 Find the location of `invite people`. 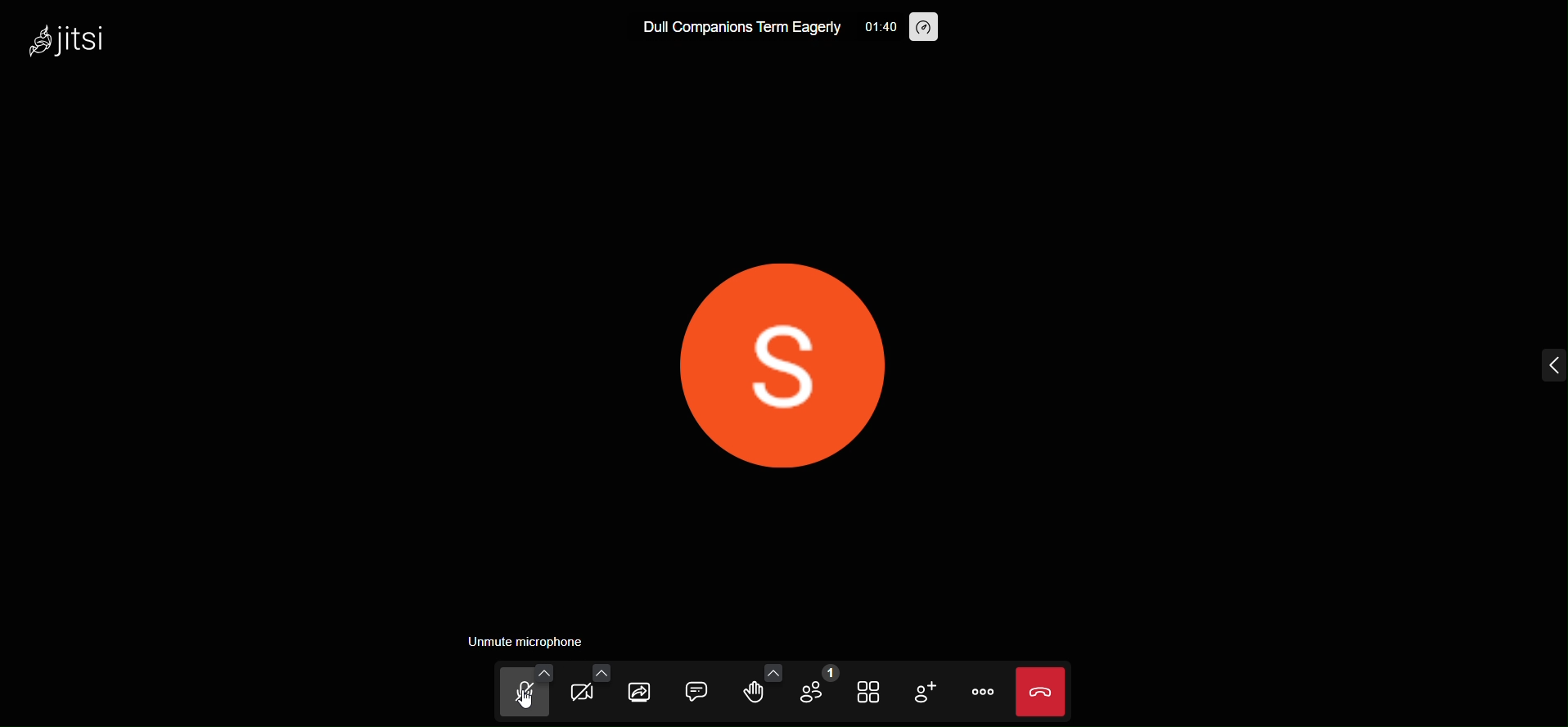

invite people is located at coordinates (922, 691).